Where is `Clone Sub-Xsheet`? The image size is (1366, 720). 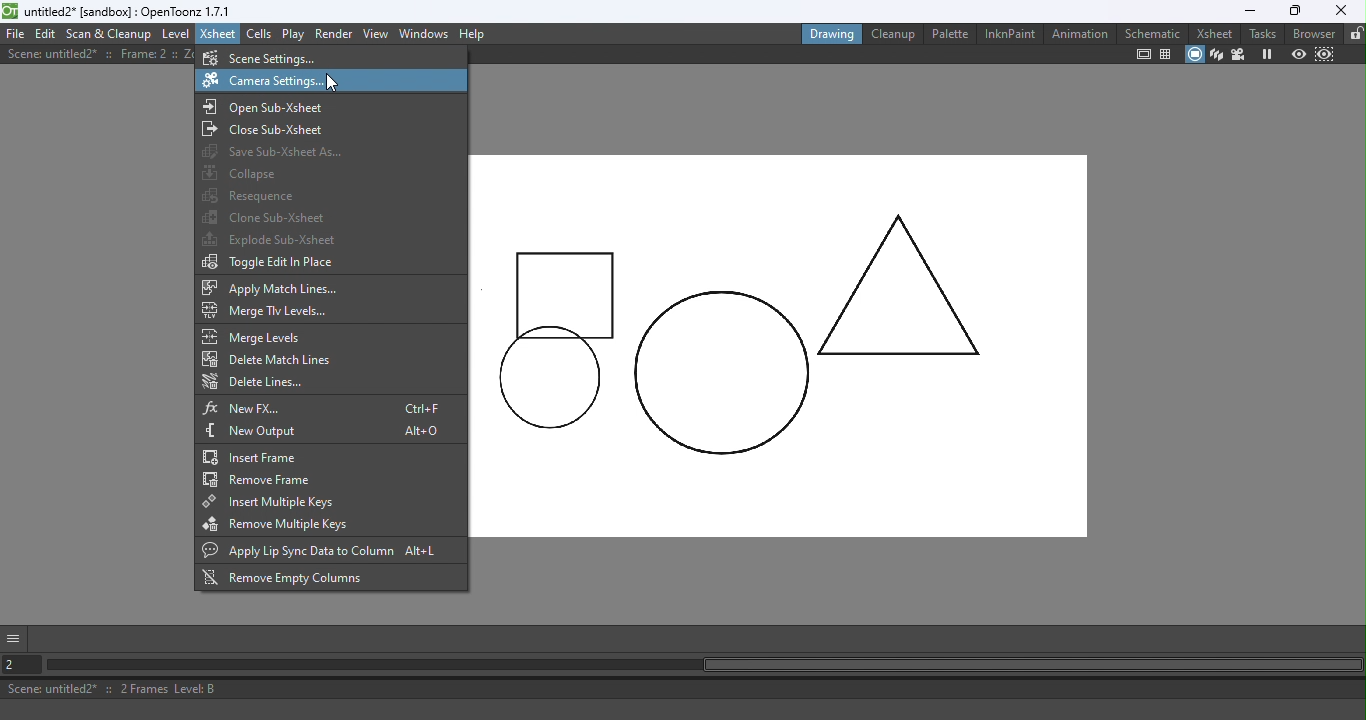
Clone Sub-Xsheet is located at coordinates (268, 217).